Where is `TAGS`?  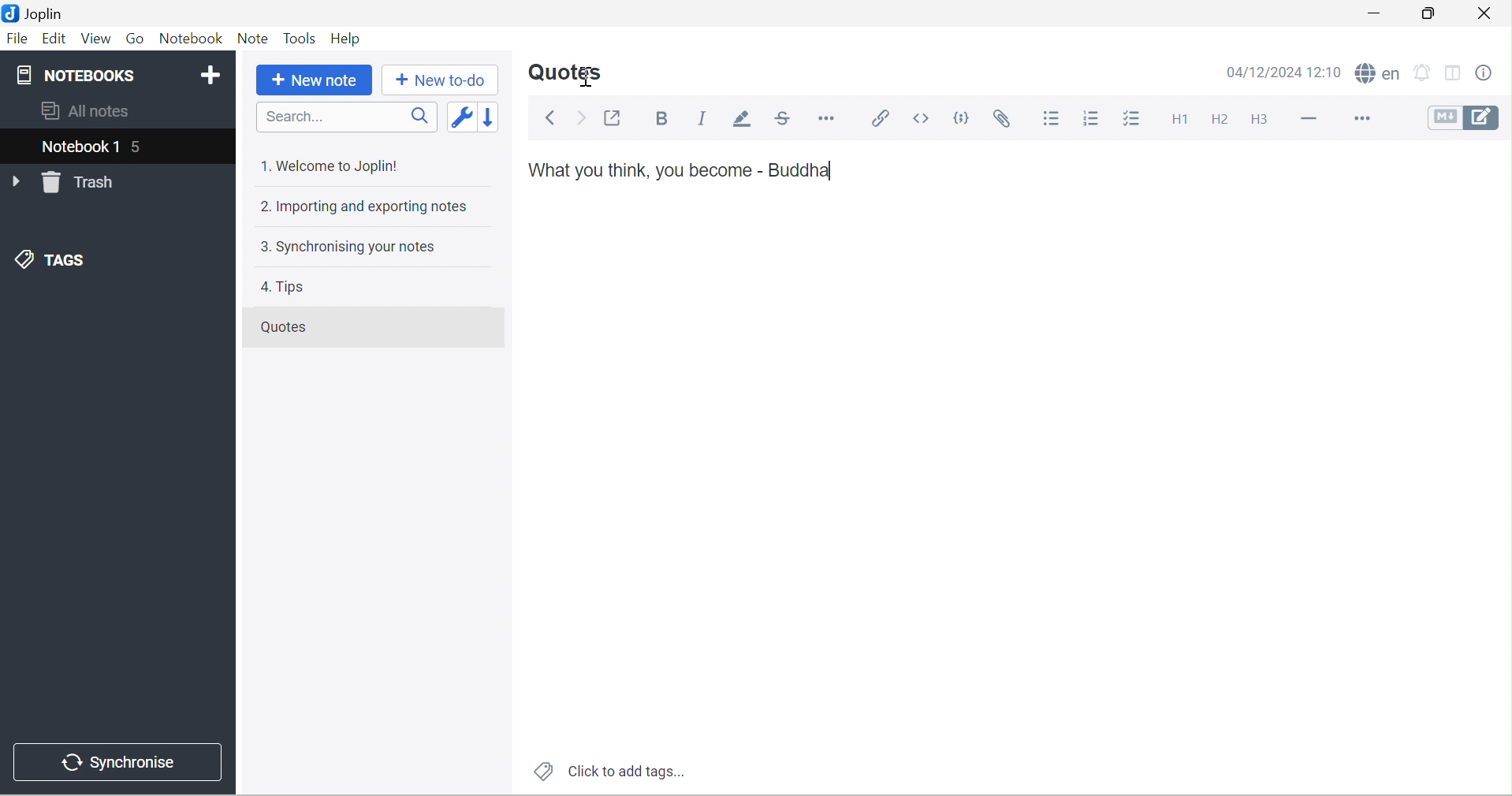 TAGS is located at coordinates (54, 259).